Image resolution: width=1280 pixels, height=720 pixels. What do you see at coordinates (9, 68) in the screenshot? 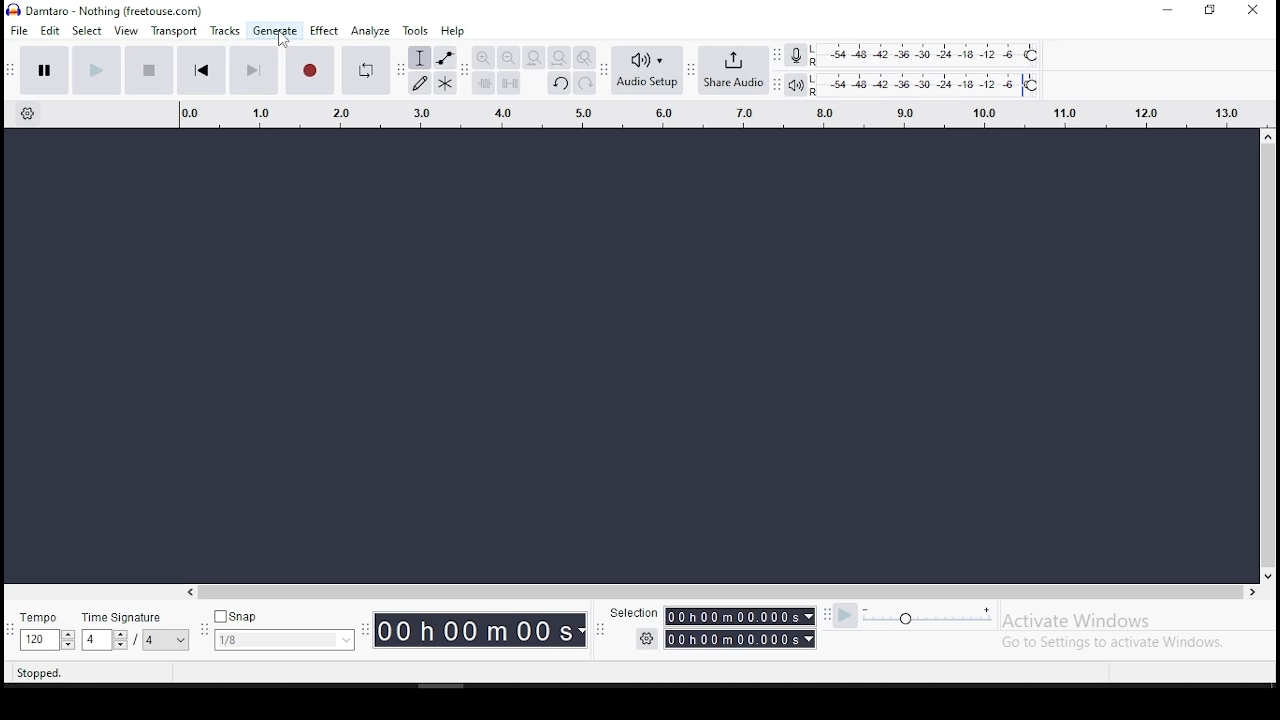
I see `show menu` at bounding box center [9, 68].